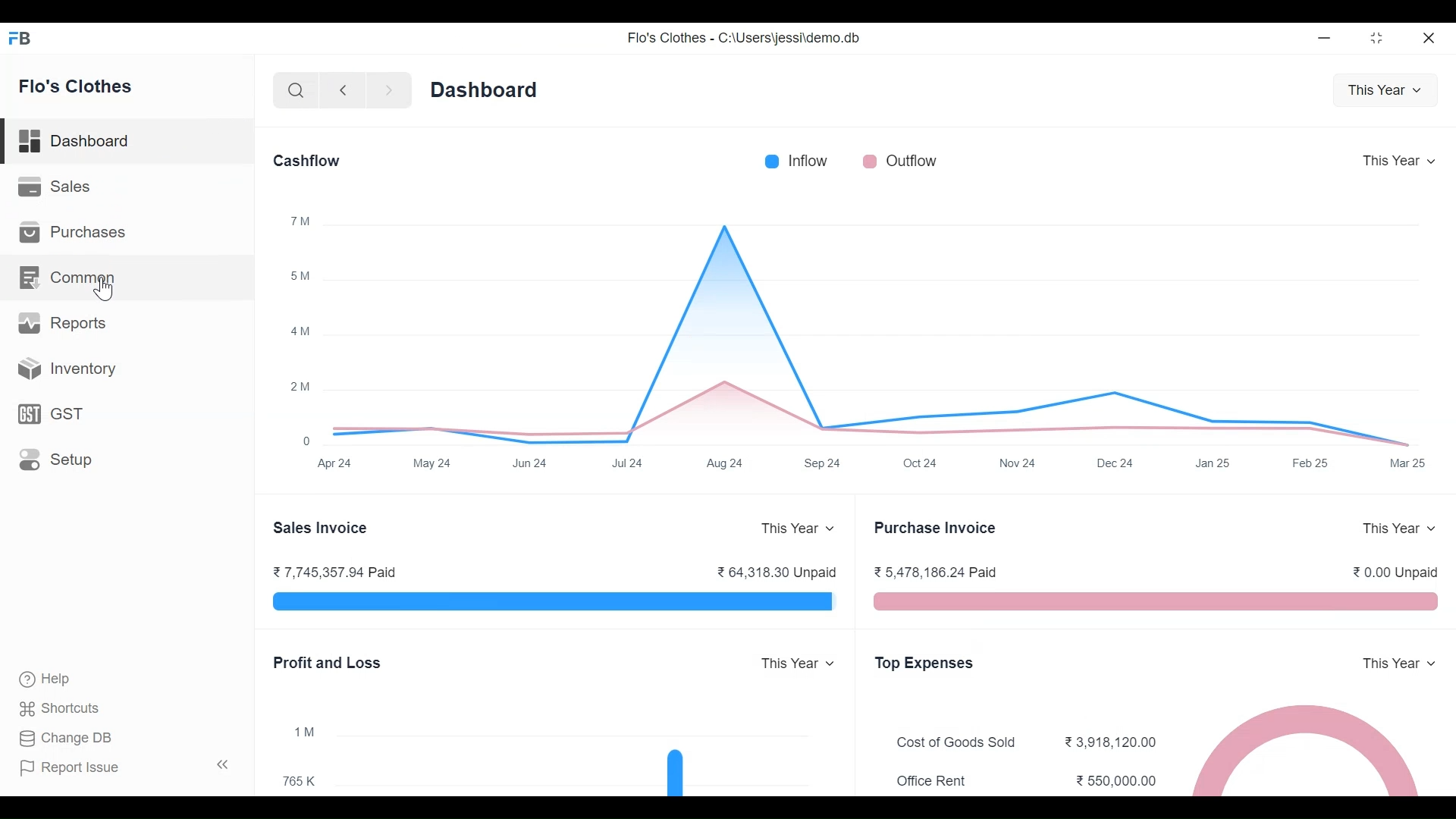  Describe the element at coordinates (877, 328) in the screenshot. I see `The Cashflow chart shows the total amount of money being transferred into and out of Flo's Clothes over year` at that location.